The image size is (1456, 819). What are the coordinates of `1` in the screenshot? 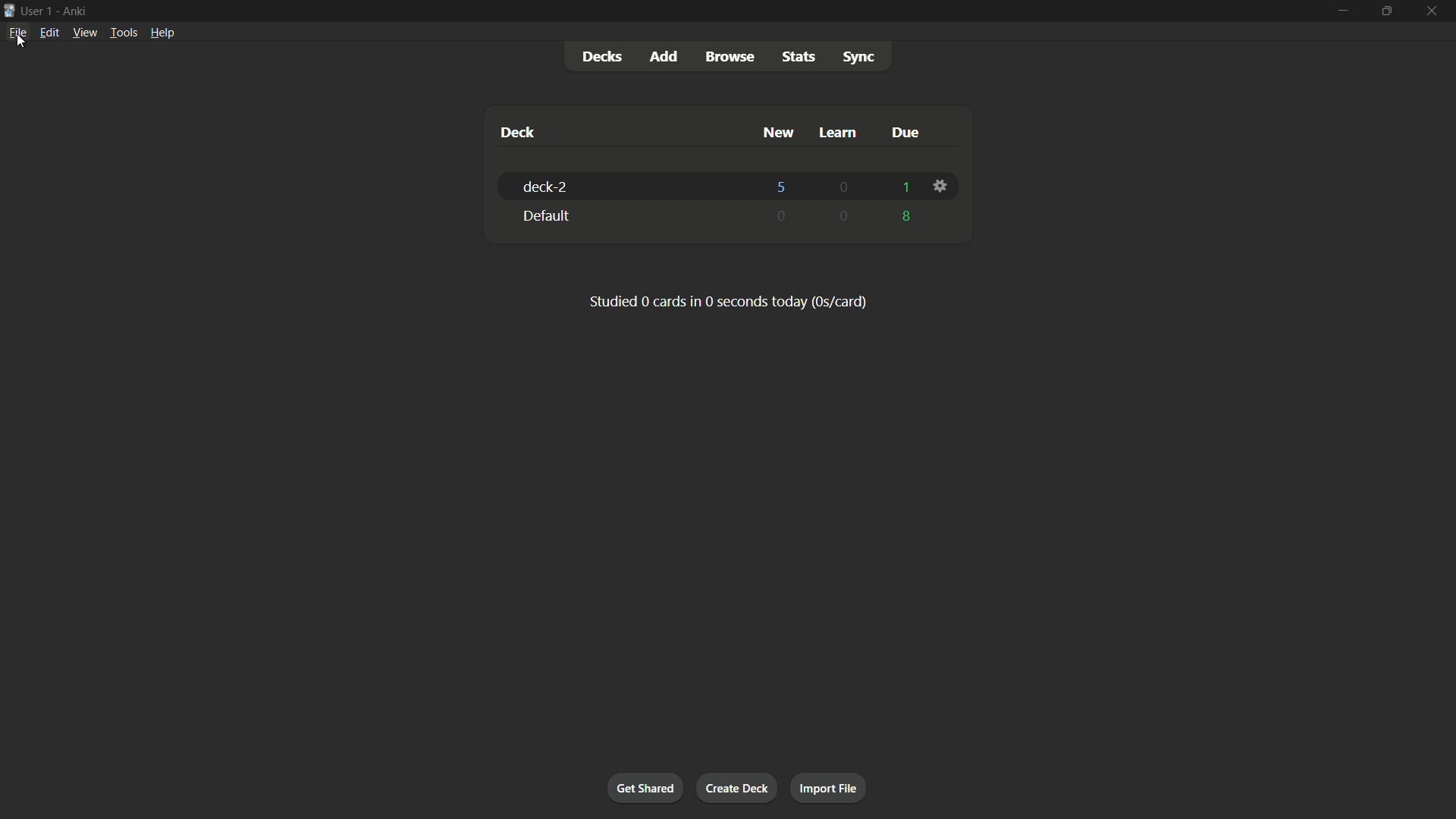 It's located at (903, 187).